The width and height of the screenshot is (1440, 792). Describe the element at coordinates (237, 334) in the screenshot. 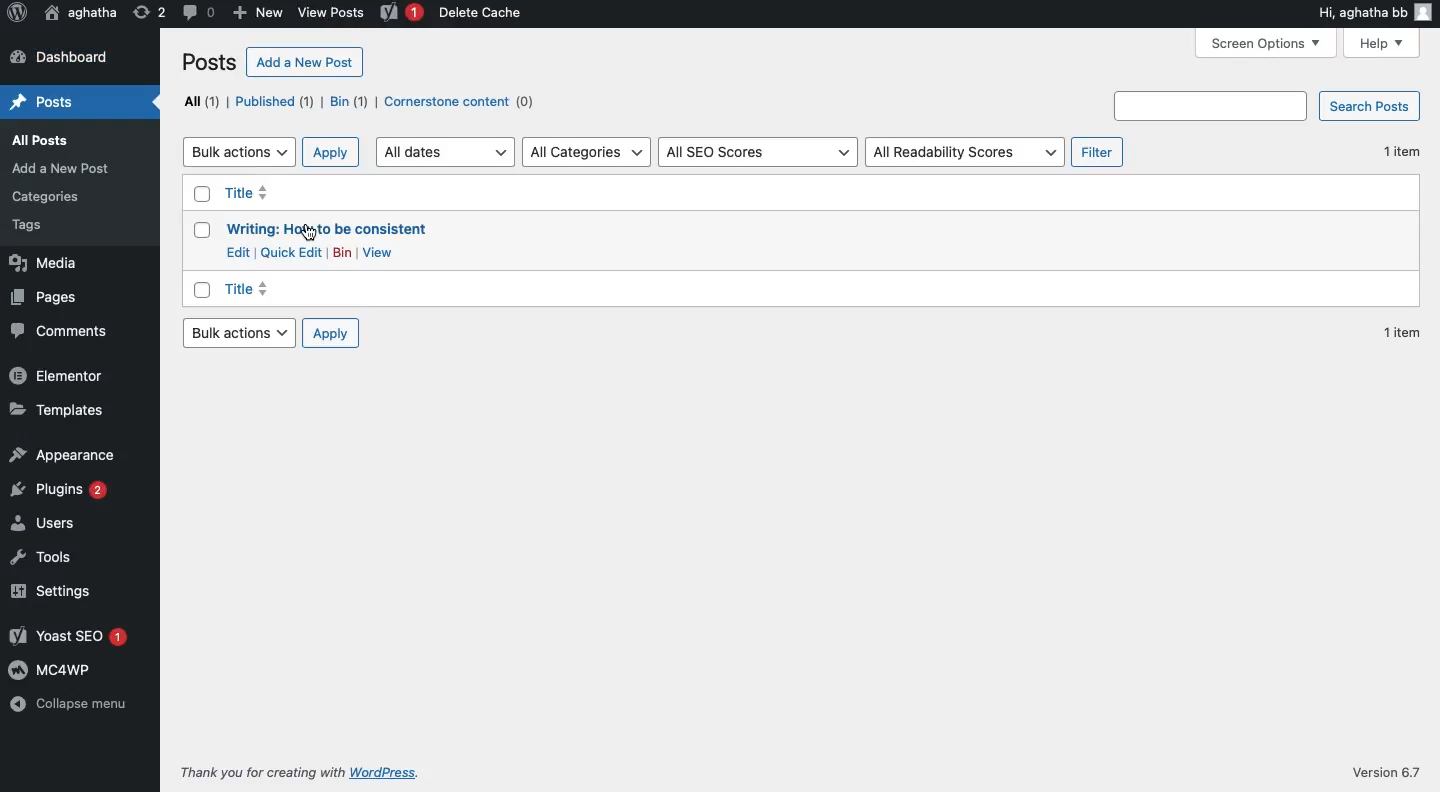

I see `Bulk actions` at that location.